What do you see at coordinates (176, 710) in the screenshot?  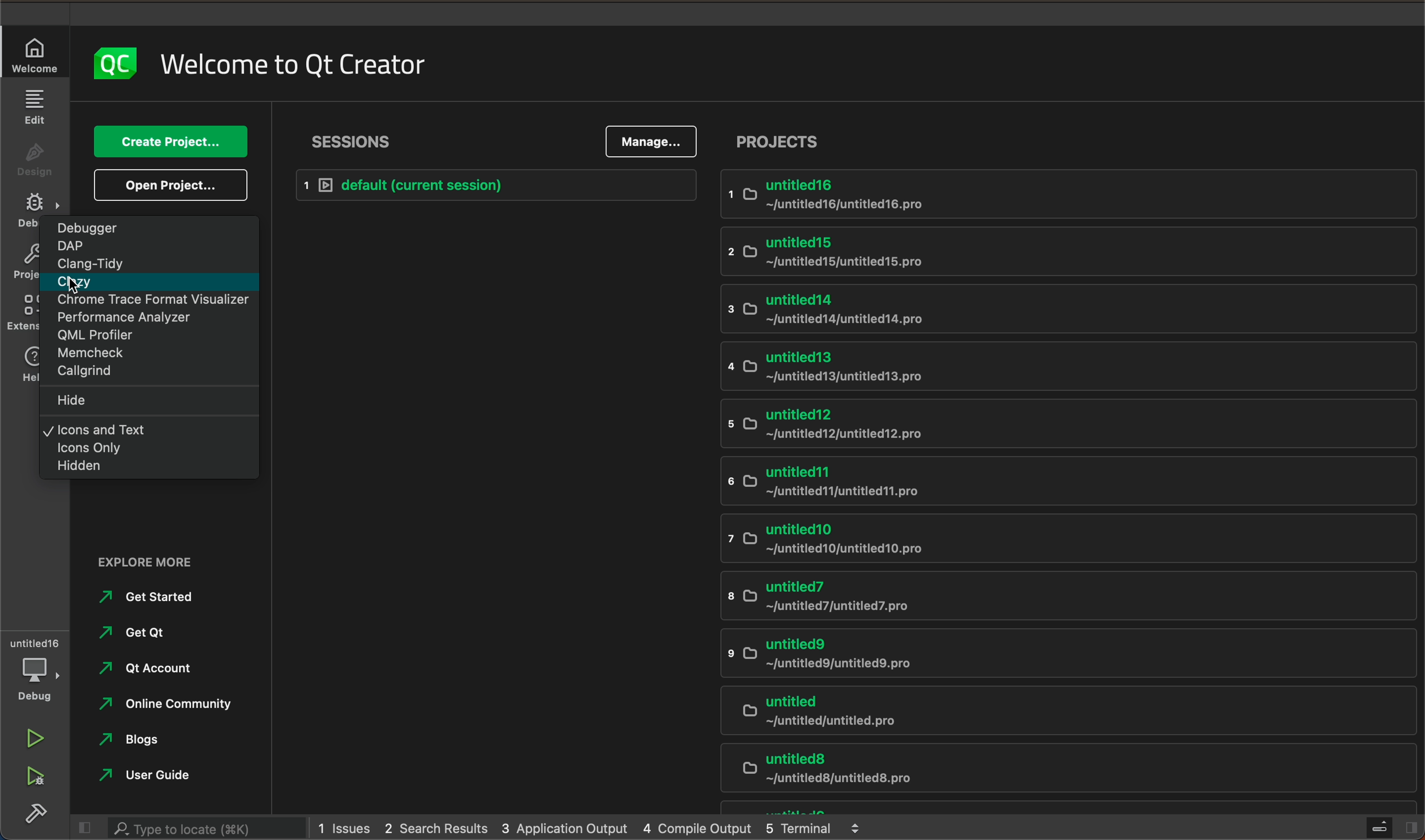 I see `online community ` at bounding box center [176, 710].